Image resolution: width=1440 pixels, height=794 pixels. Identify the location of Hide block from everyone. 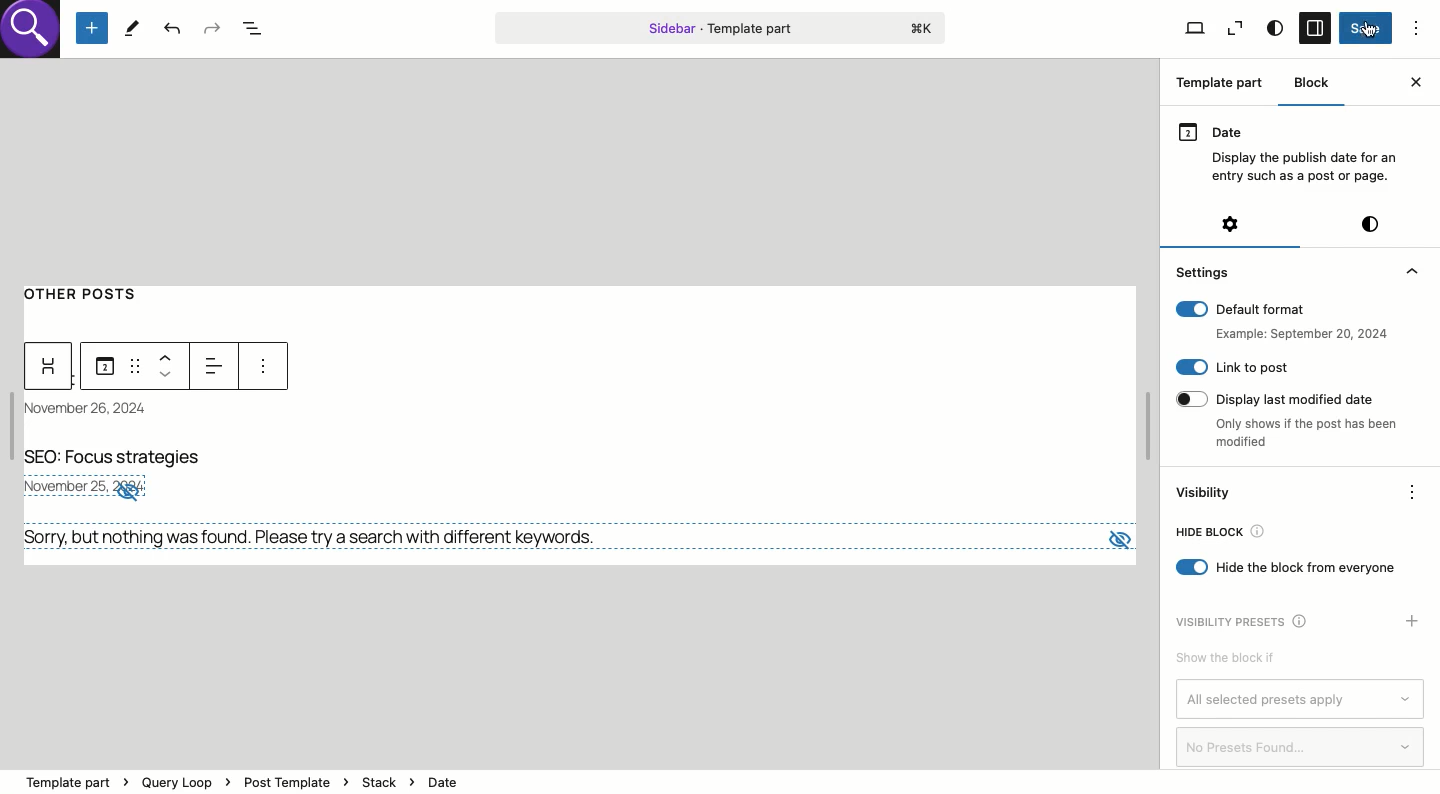
(1287, 568).